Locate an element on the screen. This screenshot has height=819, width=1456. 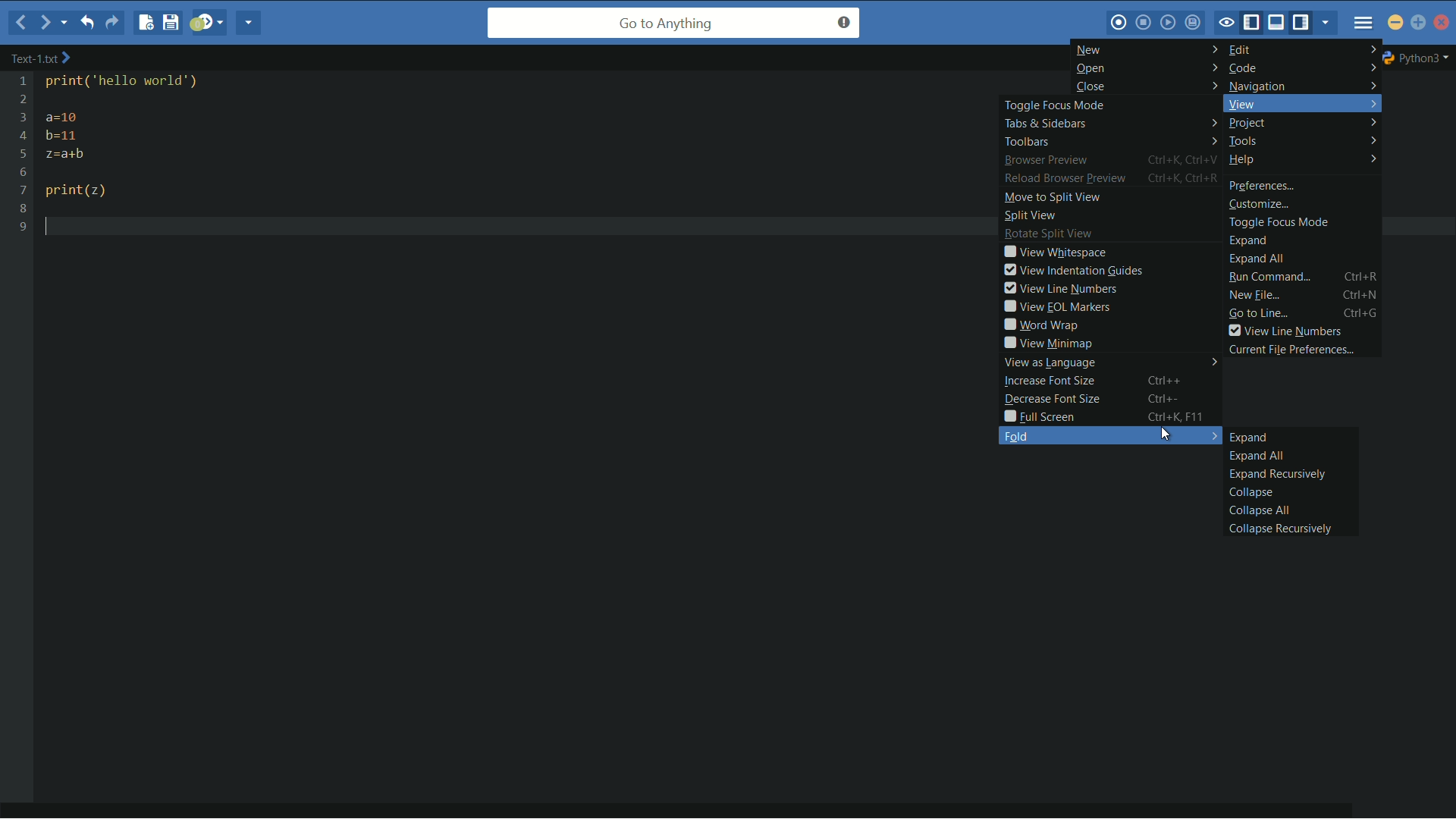
view whitespace is located at coordinates (1054, 253).